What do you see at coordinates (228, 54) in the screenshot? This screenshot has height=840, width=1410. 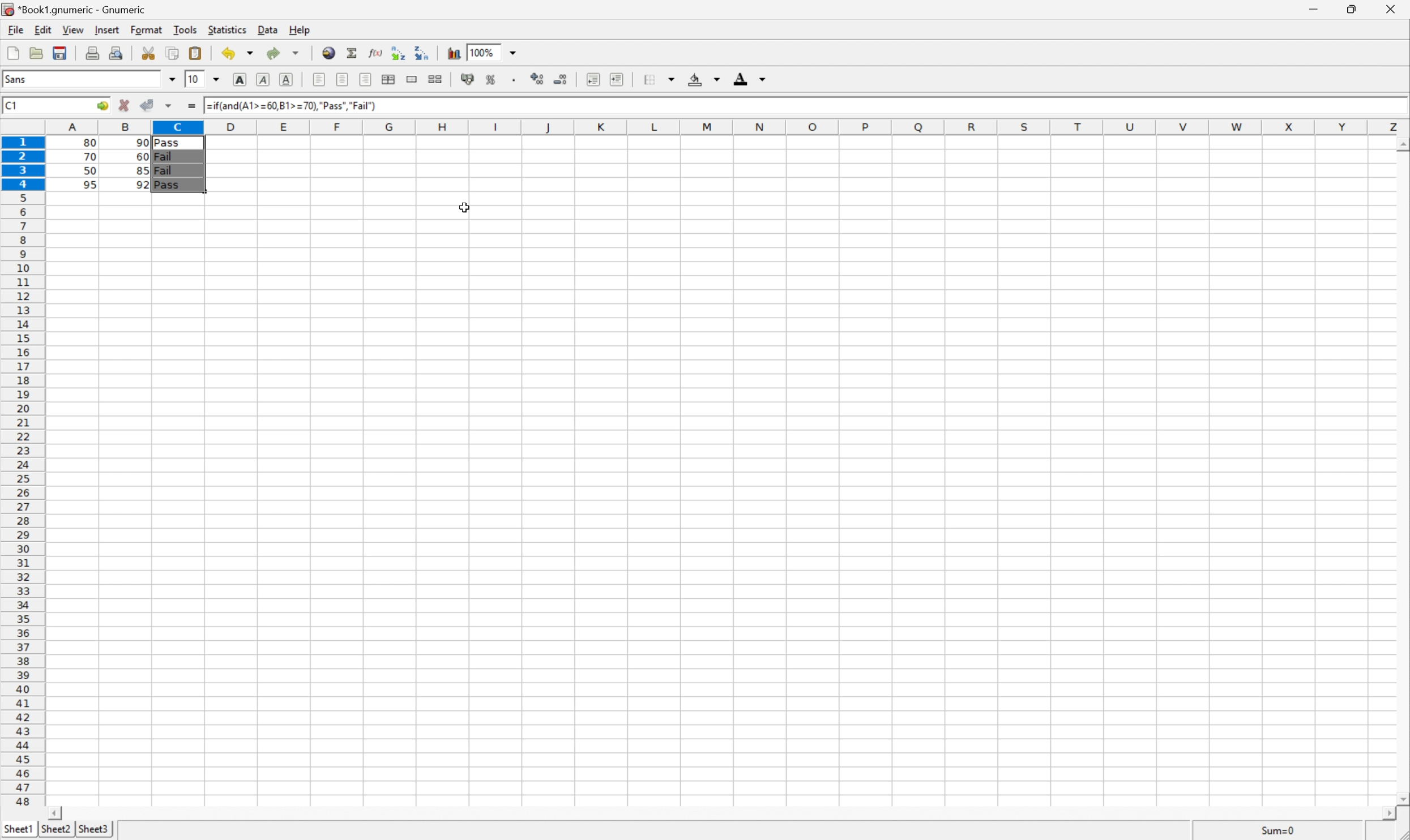 I see `Undo` at bounding box center [228, 54].